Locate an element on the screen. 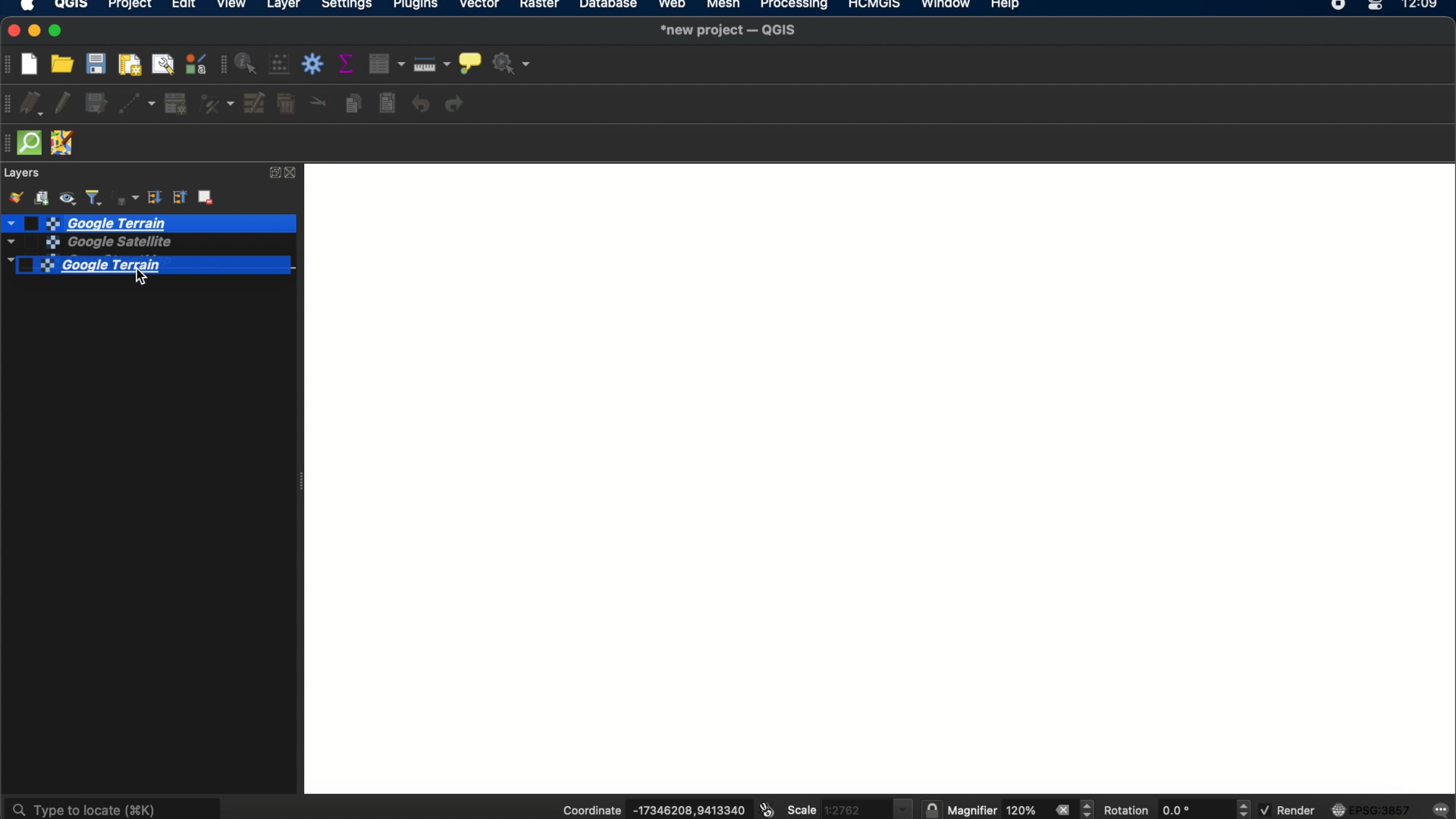 The width and height of the screenshot is (1456, 819). raster is located at coordinates (542, 7).